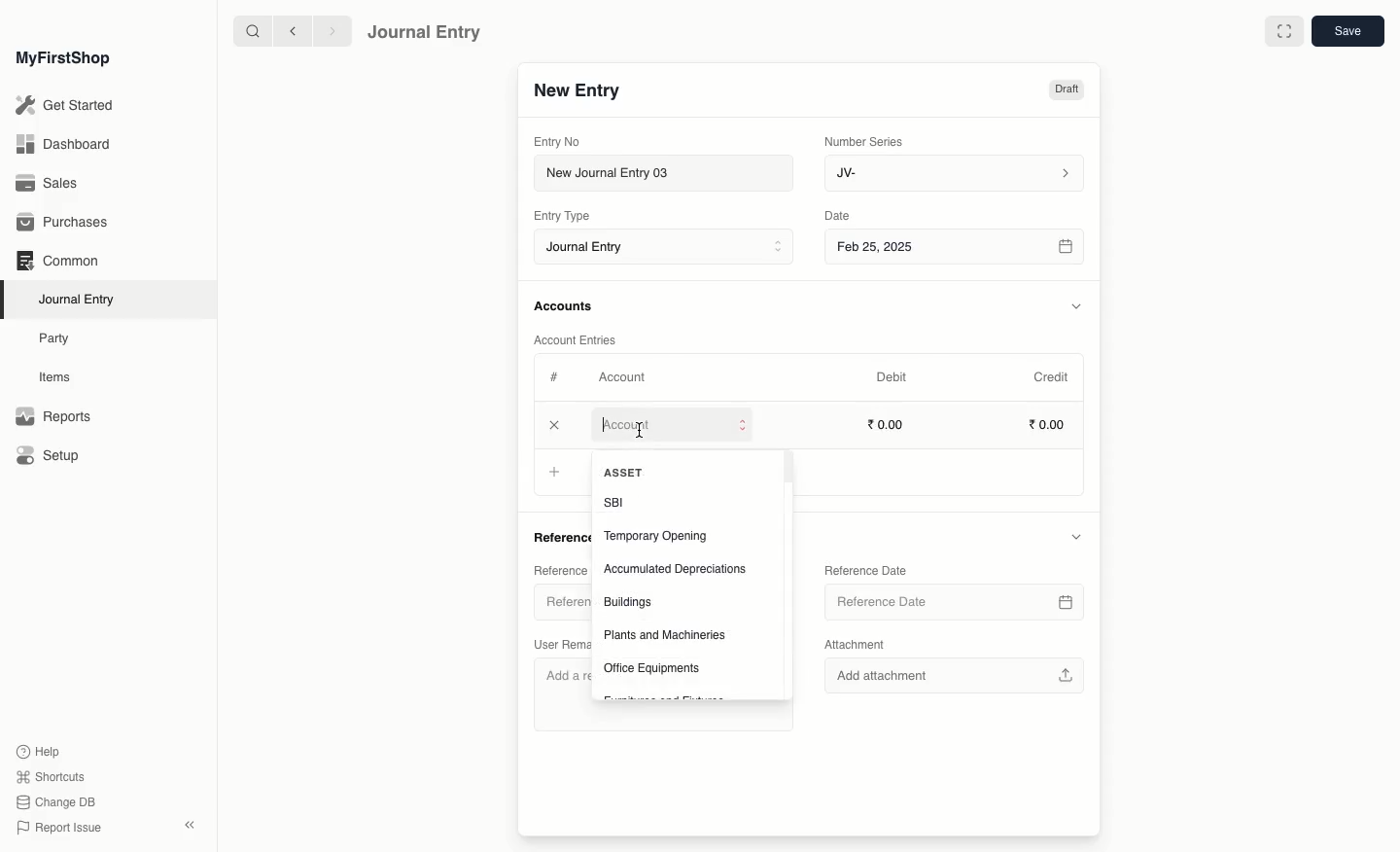 The height and width of the screenshot is (852, 1400). What do you see at coordinates (52, 417) in the screenshot?
I see `Reports` at bounding box center [52, 417].